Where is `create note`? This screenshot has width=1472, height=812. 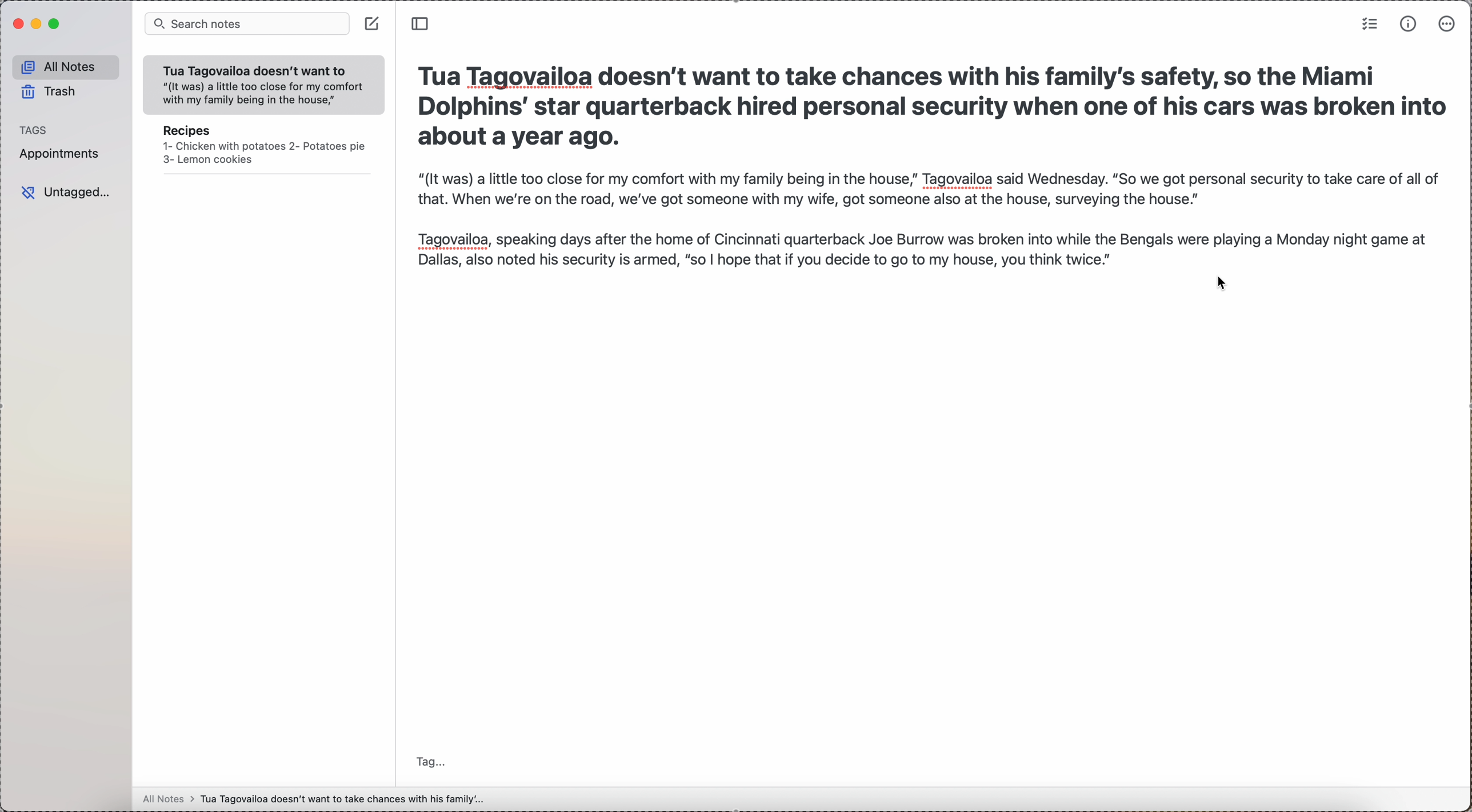
create note is located at coordinates (371, 26).